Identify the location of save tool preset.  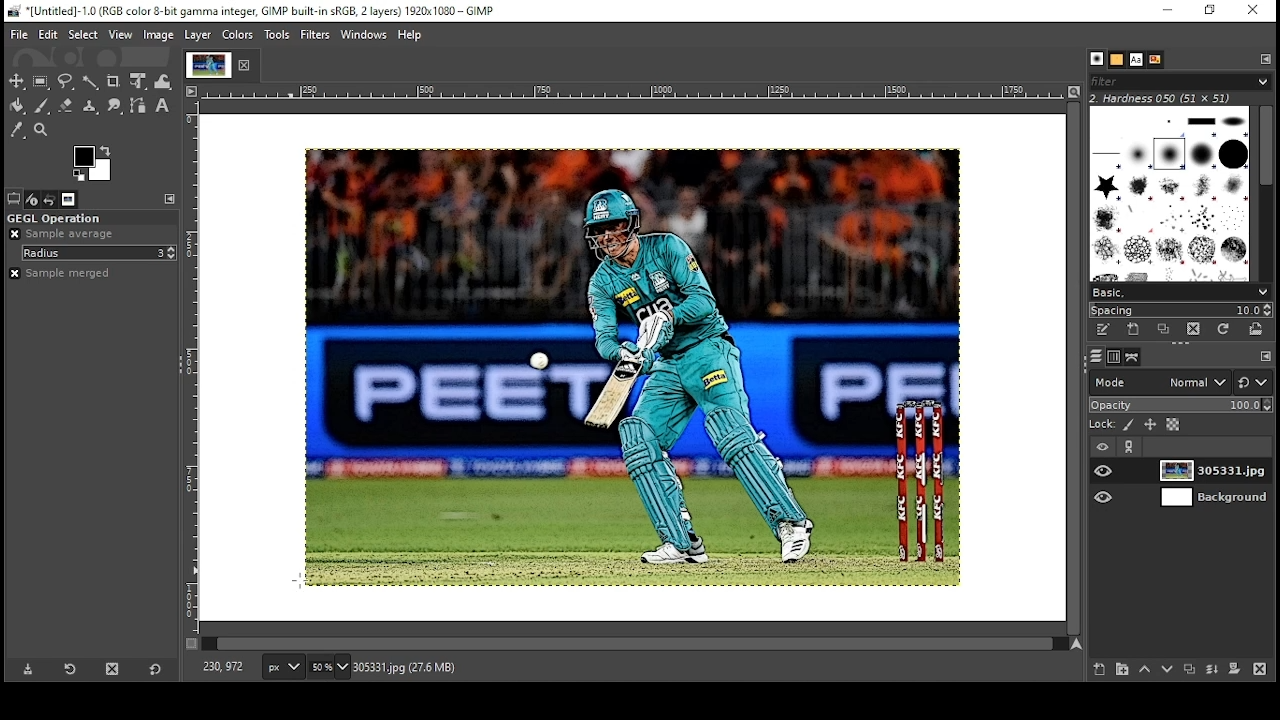
(29, 669).